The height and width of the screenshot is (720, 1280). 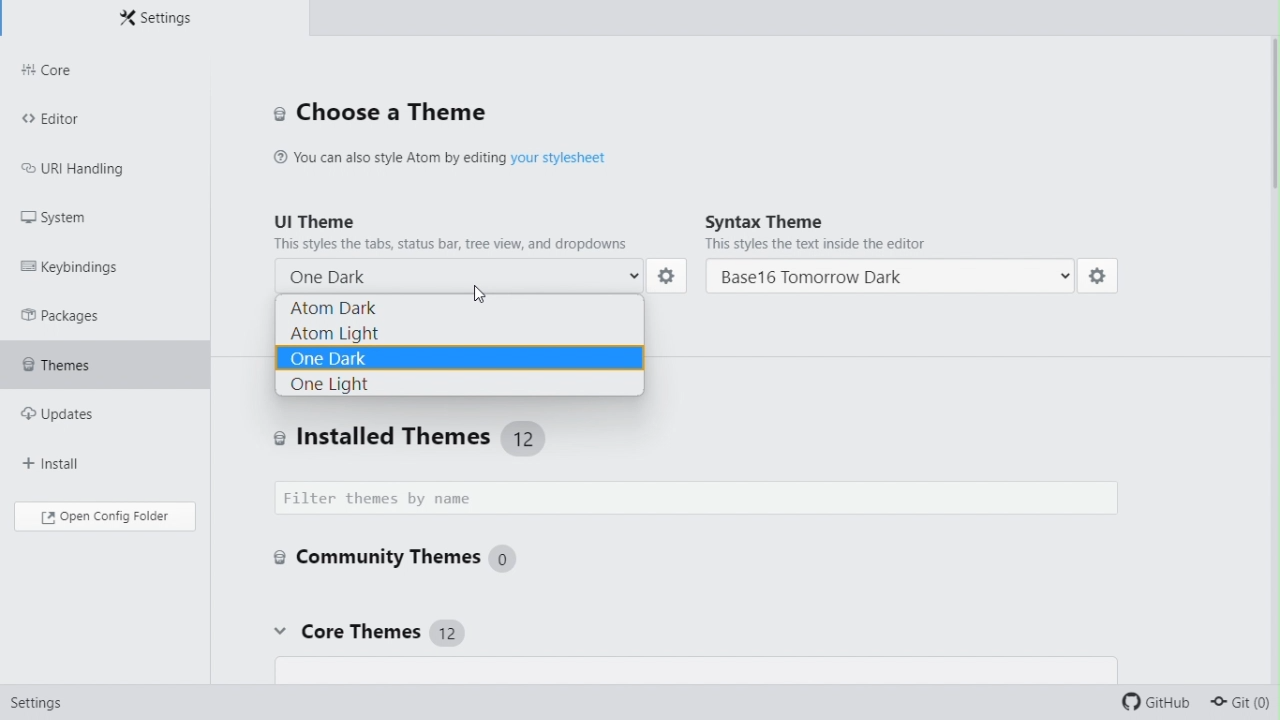 What do you see at coordinates (459, 384) in the screenshot?
I see `one light` at bounding box center [459, 384].